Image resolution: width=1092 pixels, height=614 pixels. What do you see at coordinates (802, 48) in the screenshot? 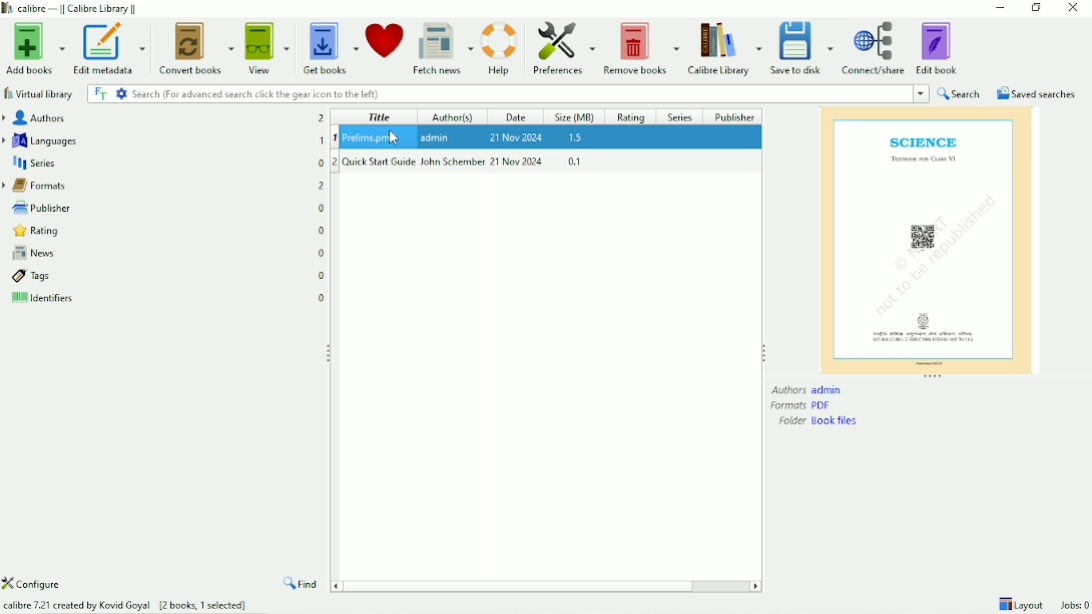
I see `Save to disk` at bounding box center [802, 48].